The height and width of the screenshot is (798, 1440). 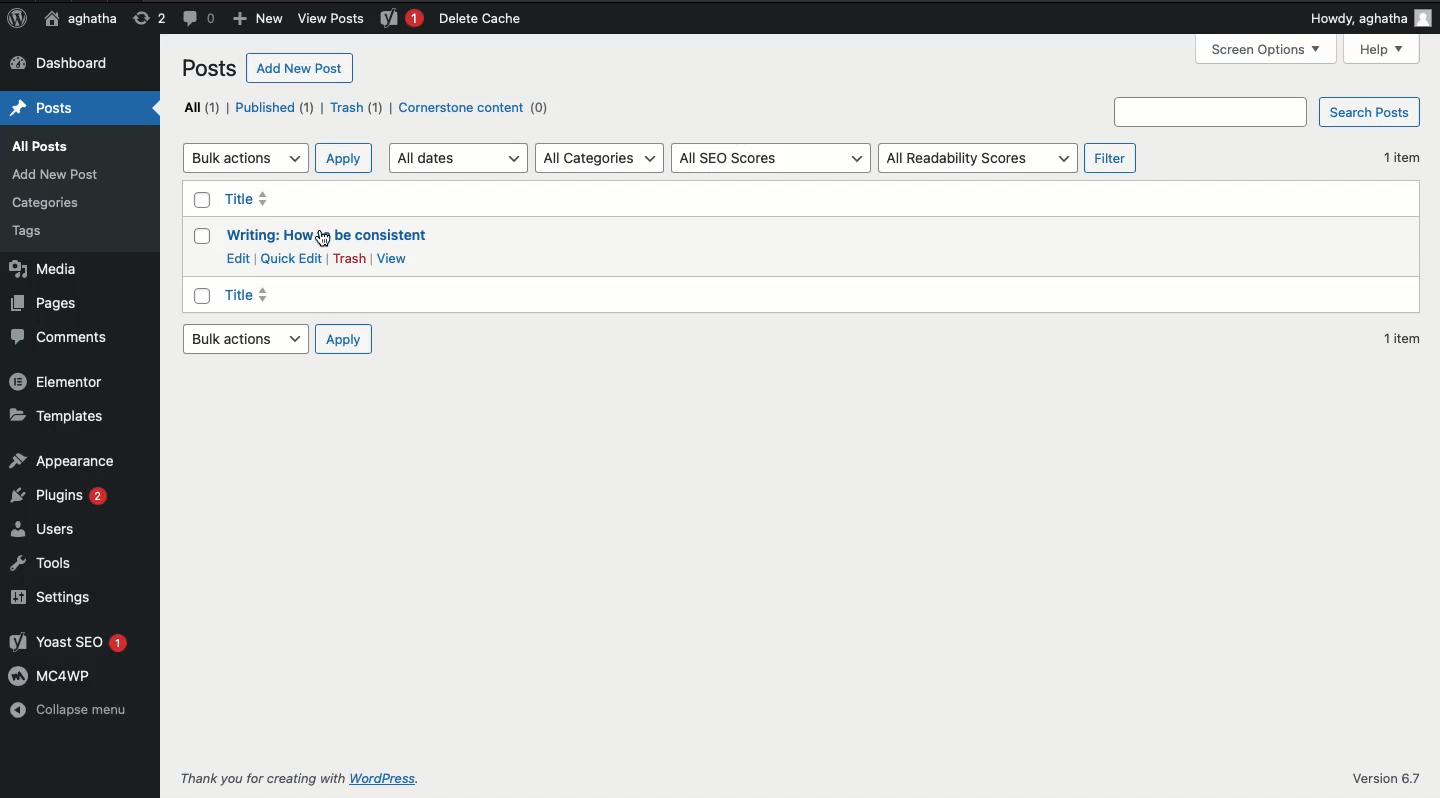 I want to click on wmcawp, so click(x=58, y=678).